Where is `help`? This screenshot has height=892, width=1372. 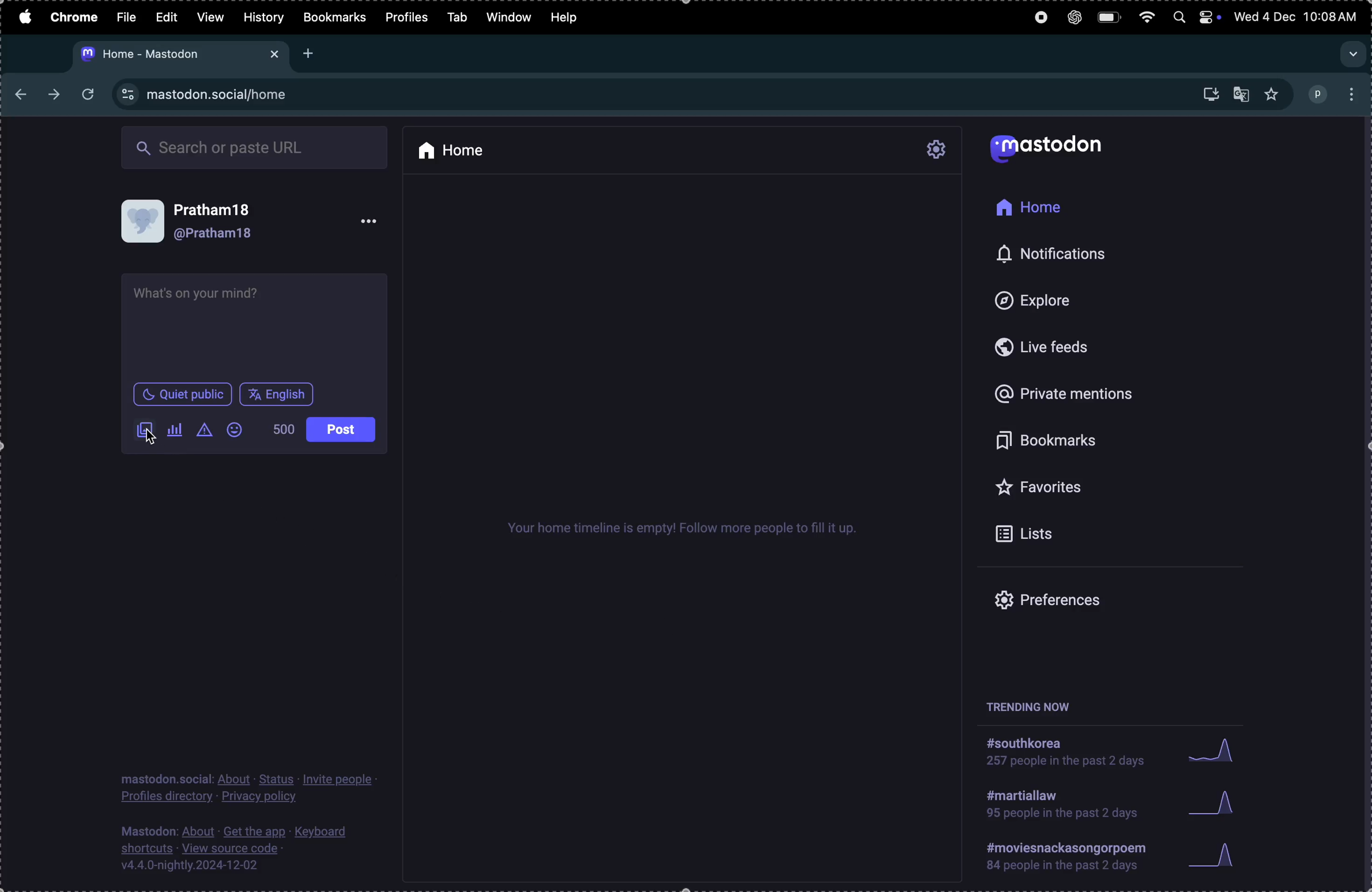 help is located at coordinates (570, 14).